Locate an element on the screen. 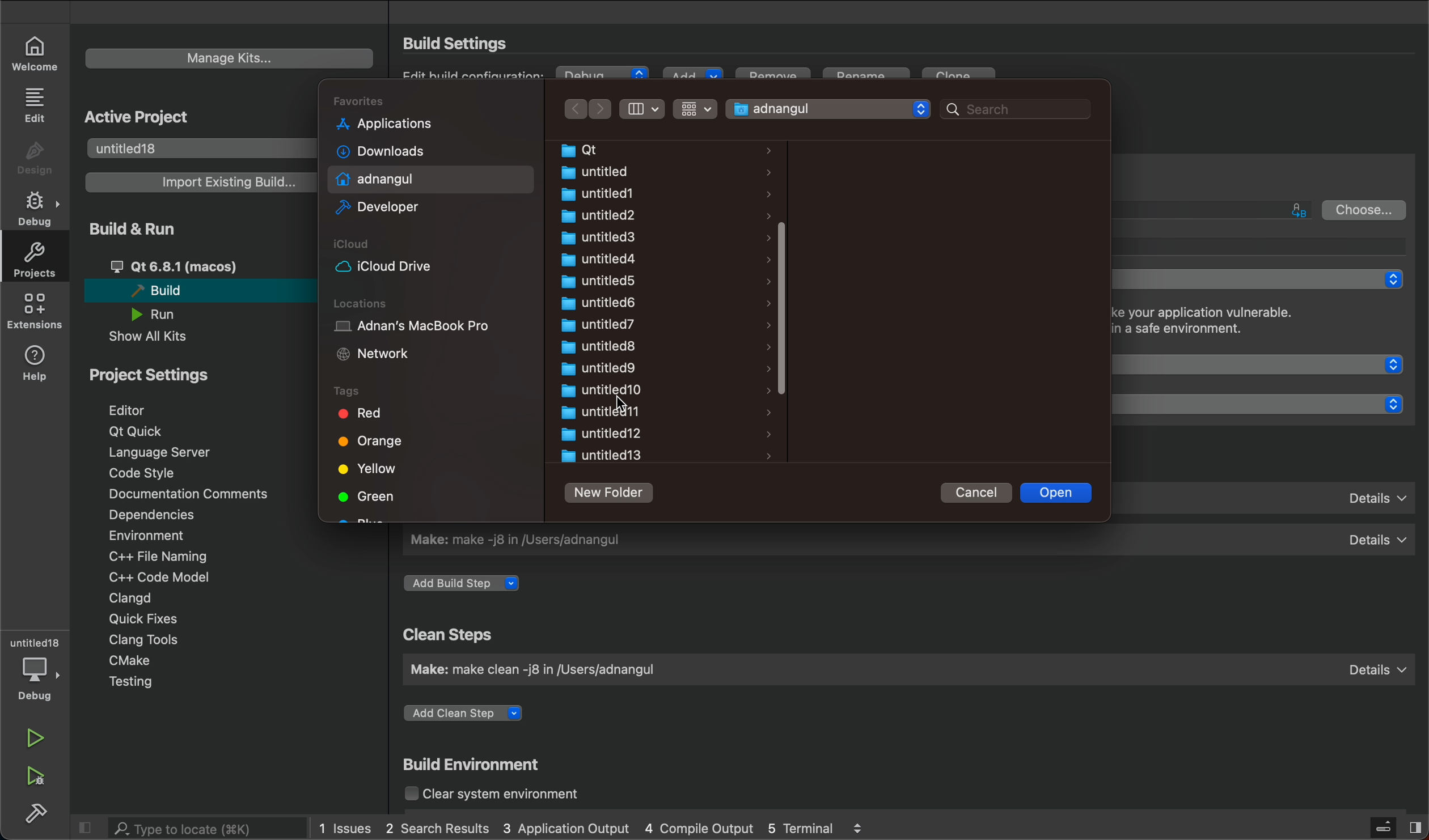  edit is located at coordinates (34, 105).